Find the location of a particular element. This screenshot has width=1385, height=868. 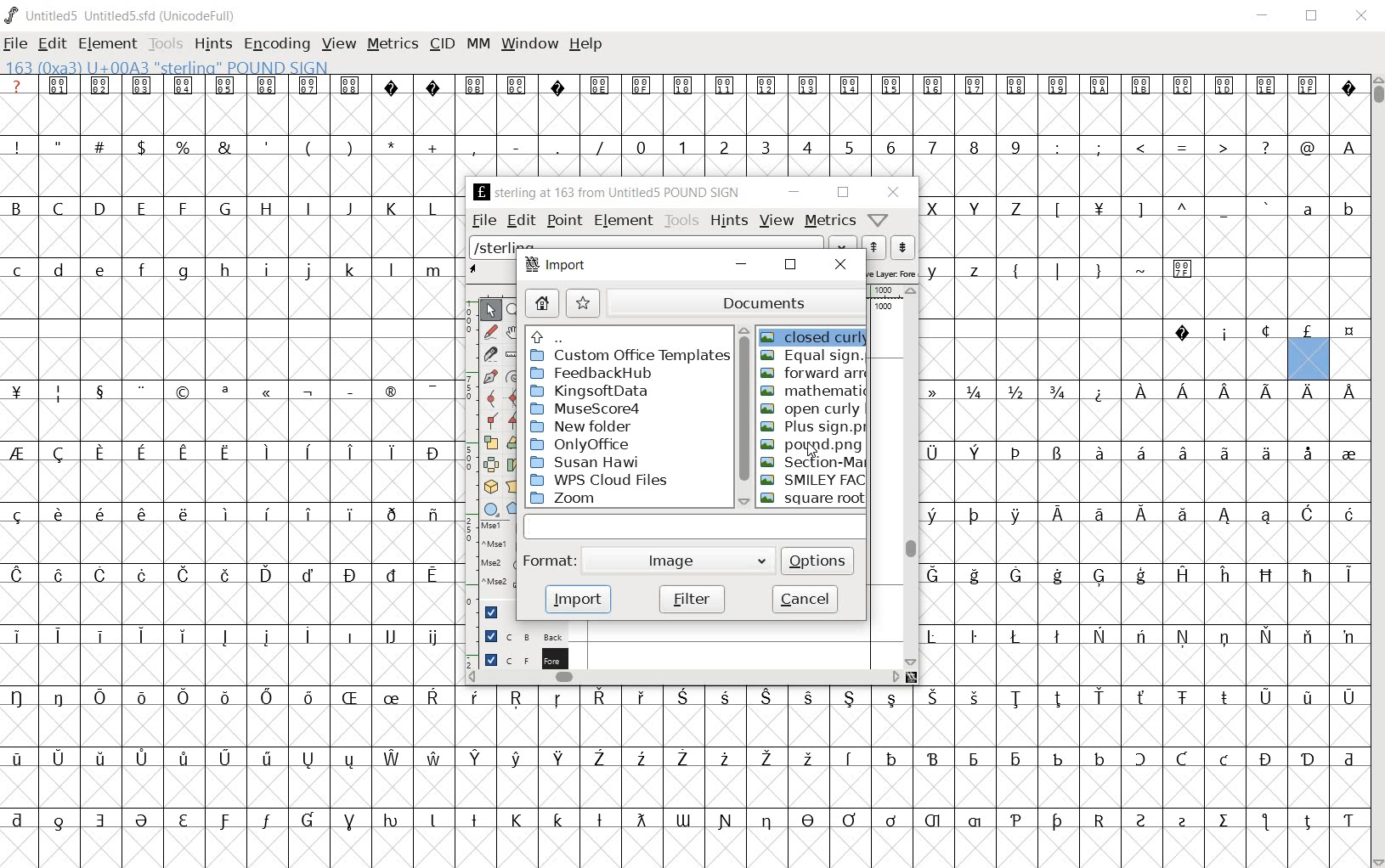

Symbol is located at coordinates (223, 637).